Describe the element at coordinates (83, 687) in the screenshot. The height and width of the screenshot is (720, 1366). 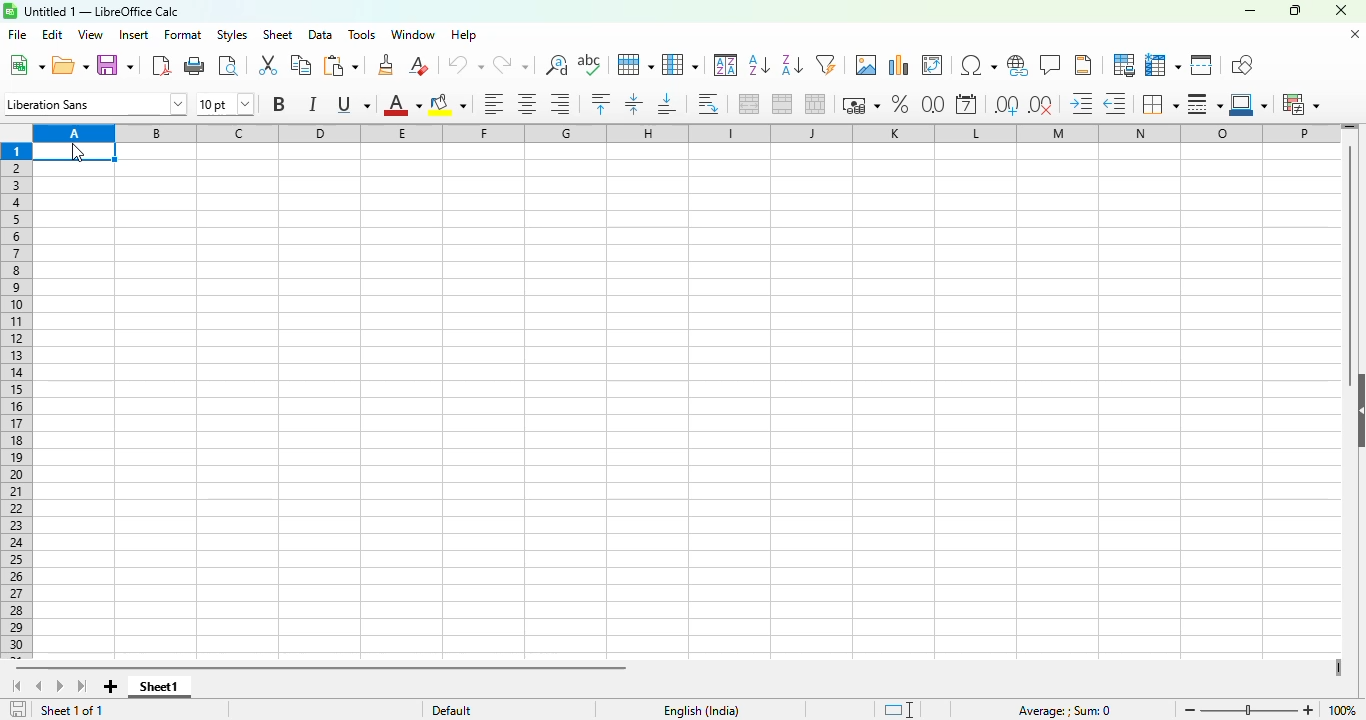
I see `scroll to last page` at that location.